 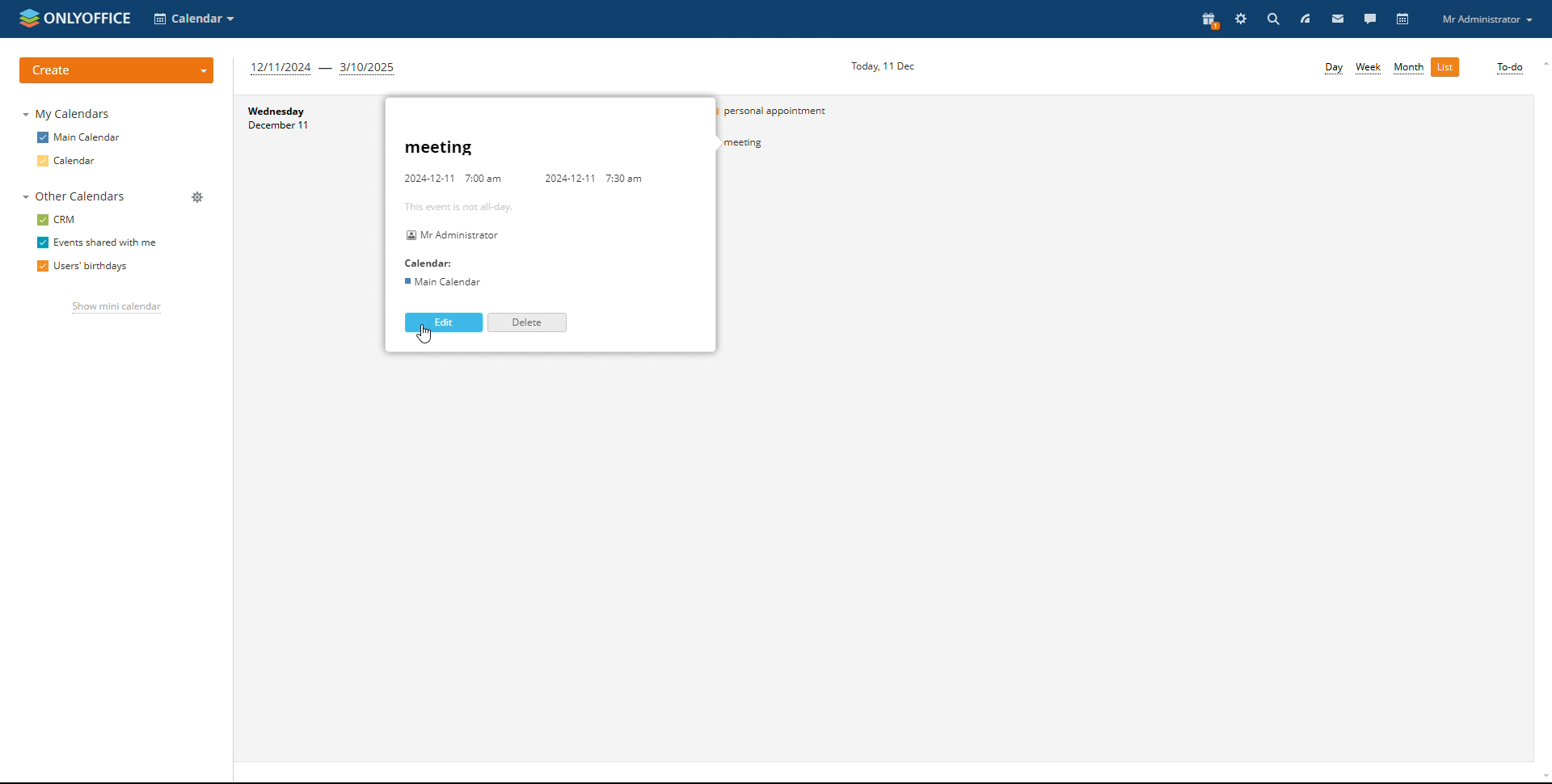 What do you see at coordinates (795, 144) in the screenshot?
I see `event` at bounding box center [795, 144].